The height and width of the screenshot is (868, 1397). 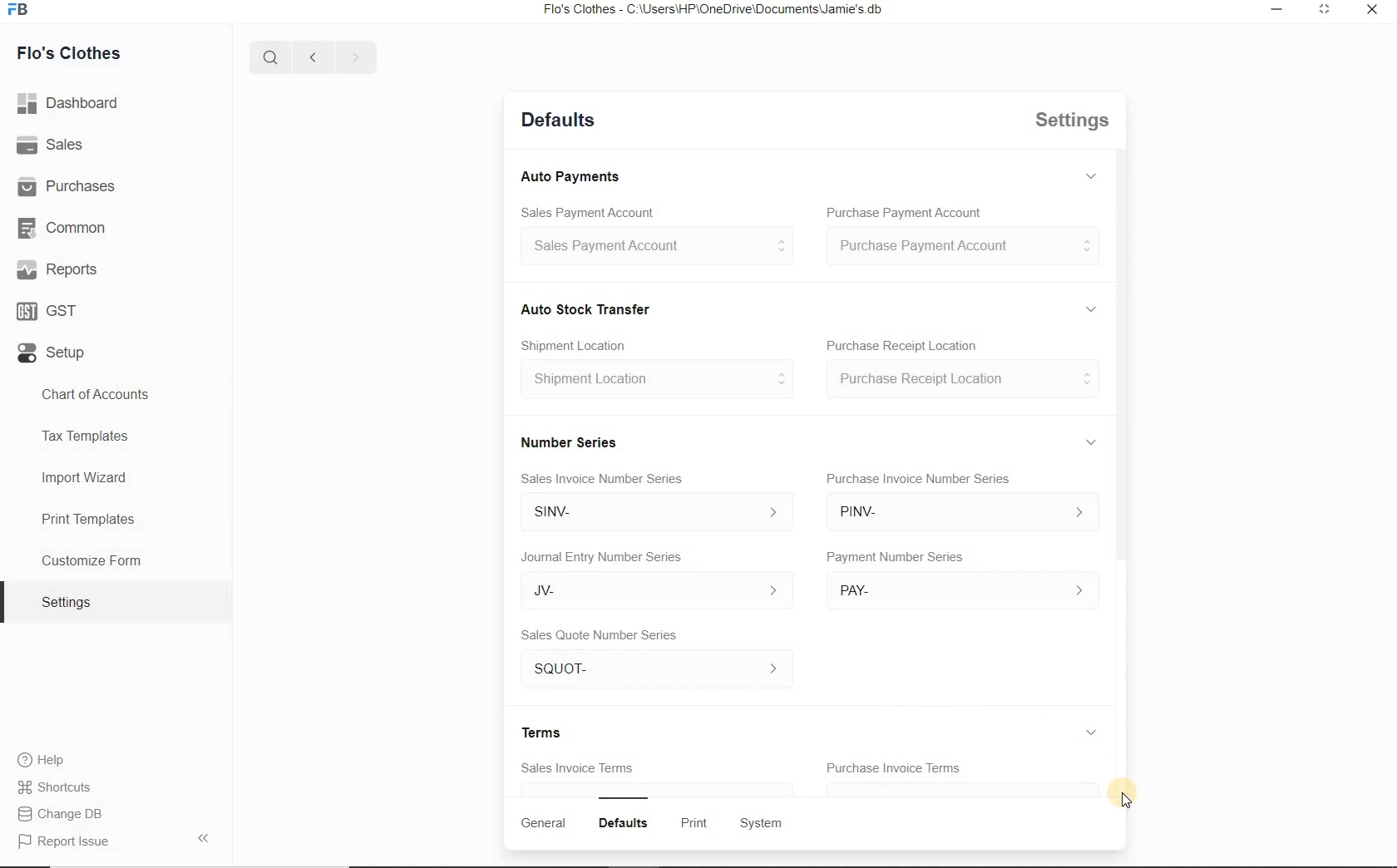 What do you see at coordinates (918, 479) in the screenshot?
I see `Purchase Invoice Number Series` at bounding box center [918, 479].